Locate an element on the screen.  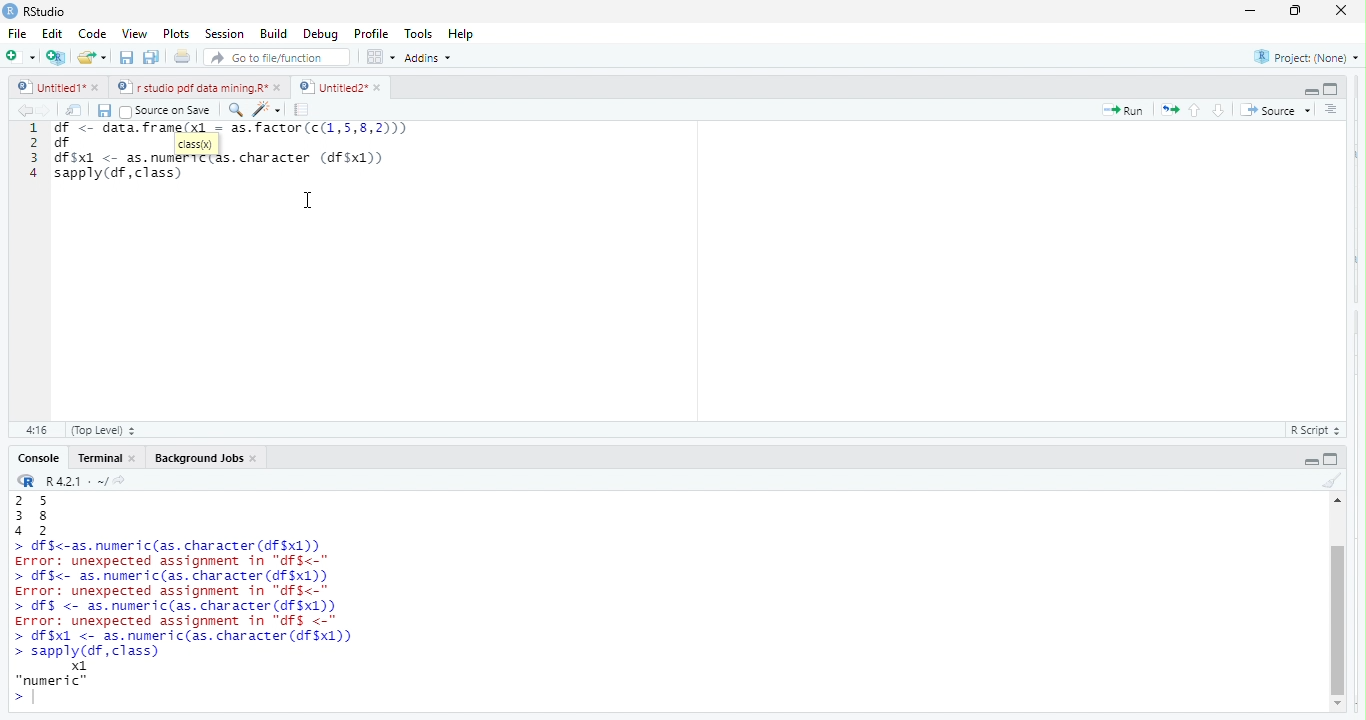
Build is located at coordinates (274, 34).